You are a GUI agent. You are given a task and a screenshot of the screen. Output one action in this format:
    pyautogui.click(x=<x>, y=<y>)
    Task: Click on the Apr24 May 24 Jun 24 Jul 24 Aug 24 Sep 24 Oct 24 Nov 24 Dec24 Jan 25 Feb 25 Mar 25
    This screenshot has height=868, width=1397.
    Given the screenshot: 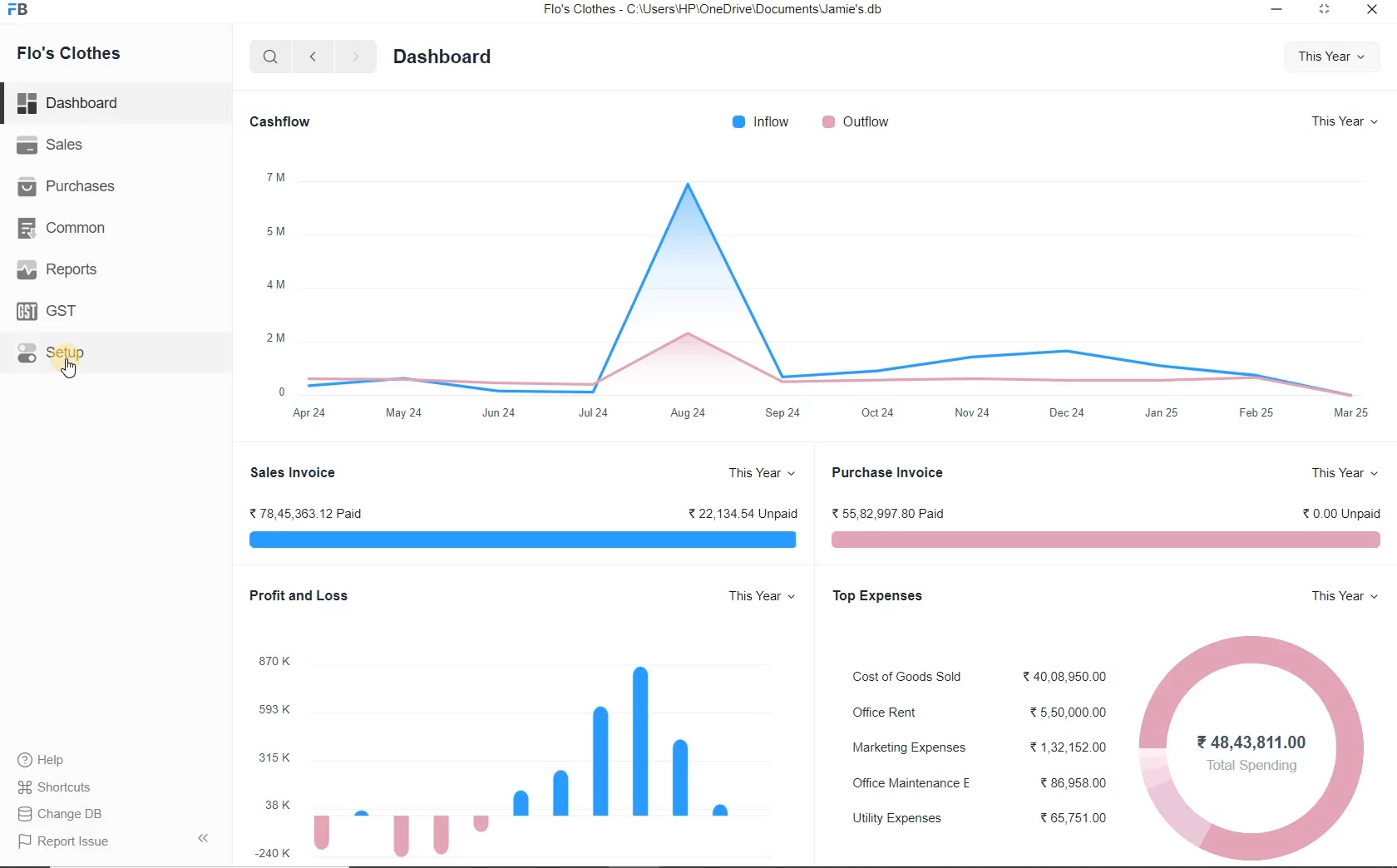 What is the action you would take?
    pyautogui.click(x=836, y=416)
    